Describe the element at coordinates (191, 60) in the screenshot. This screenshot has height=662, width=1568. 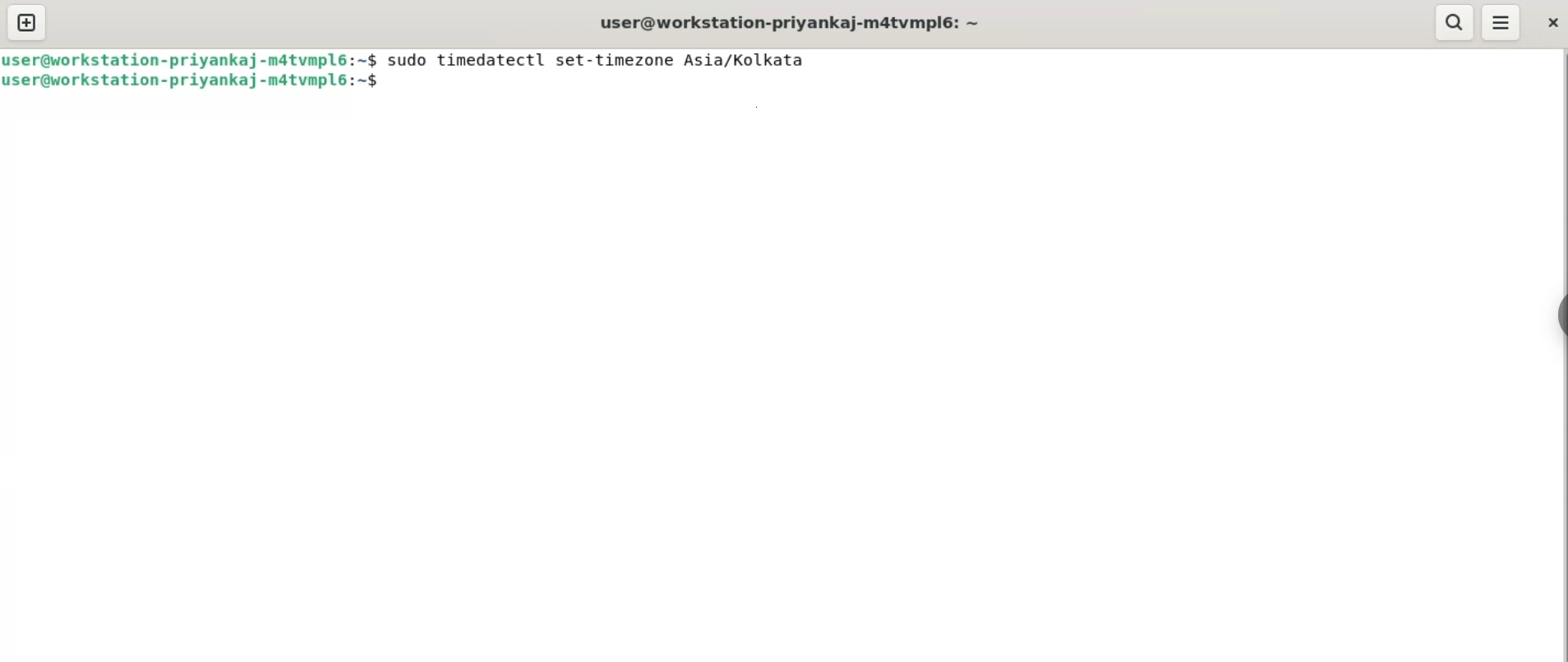
I see `user@workstation-priyankaj-matvmplé:~$` at that location.